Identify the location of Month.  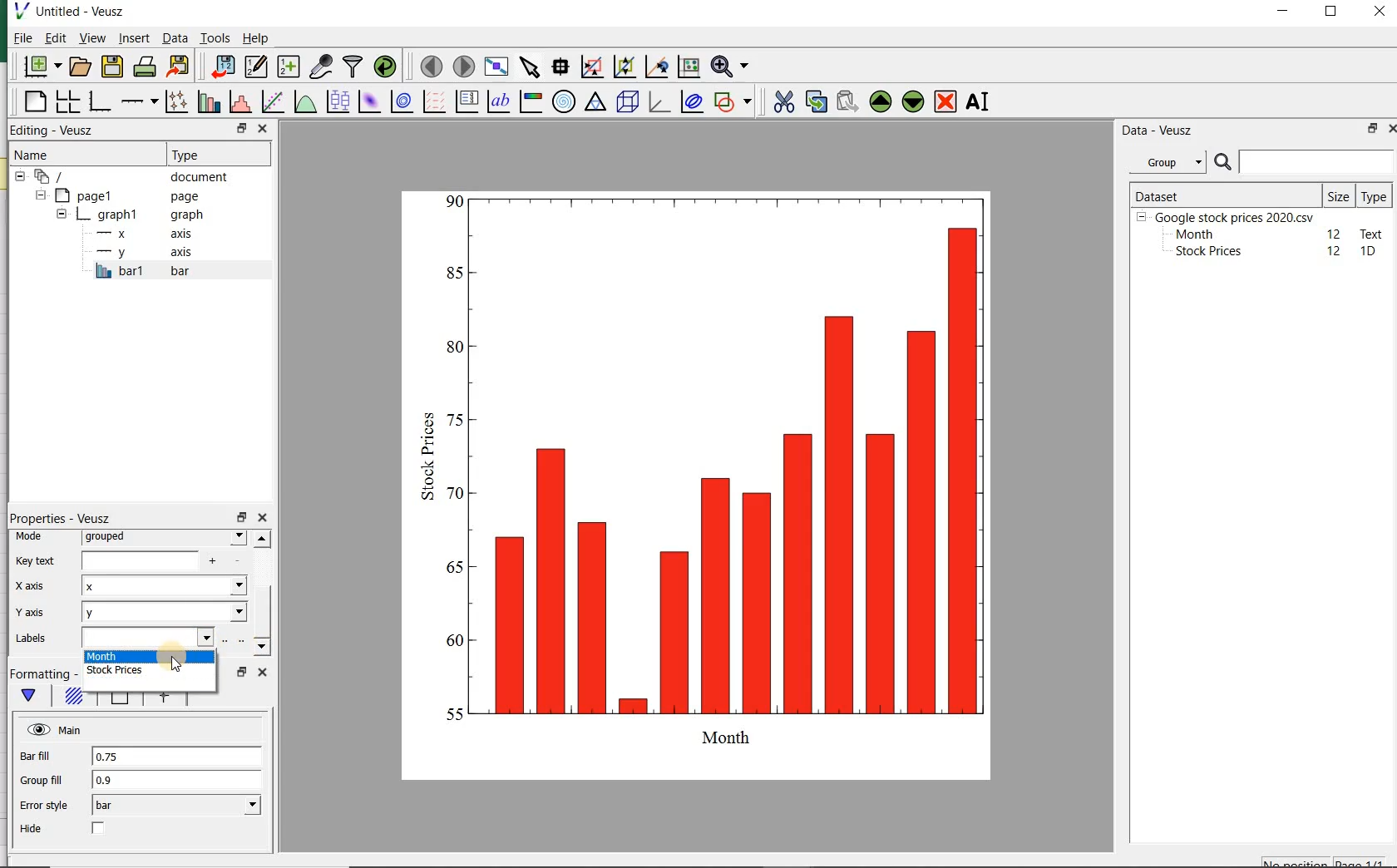
(1193, 234).